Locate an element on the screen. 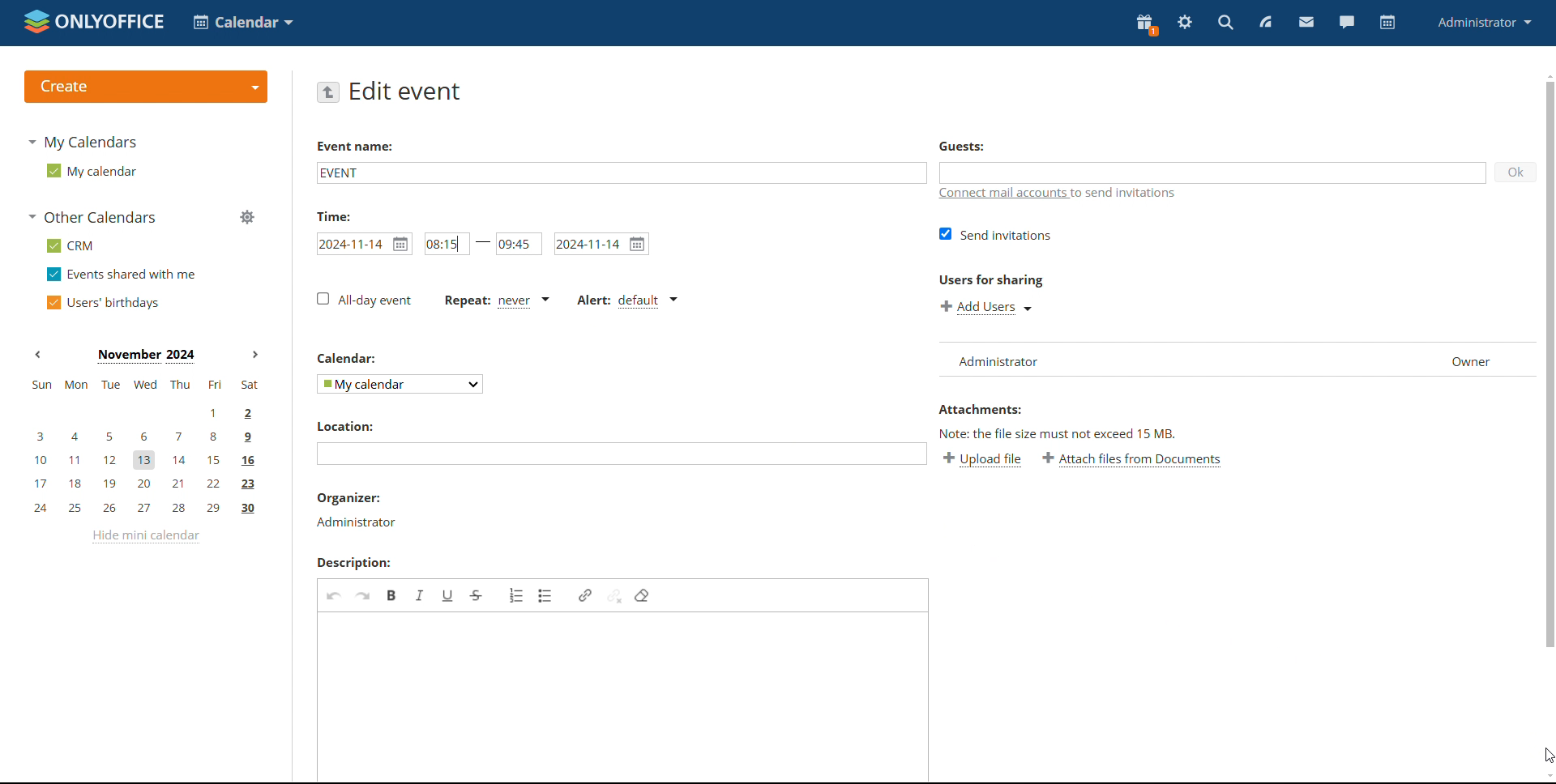  event repetition is located at coordinates (495, 301).